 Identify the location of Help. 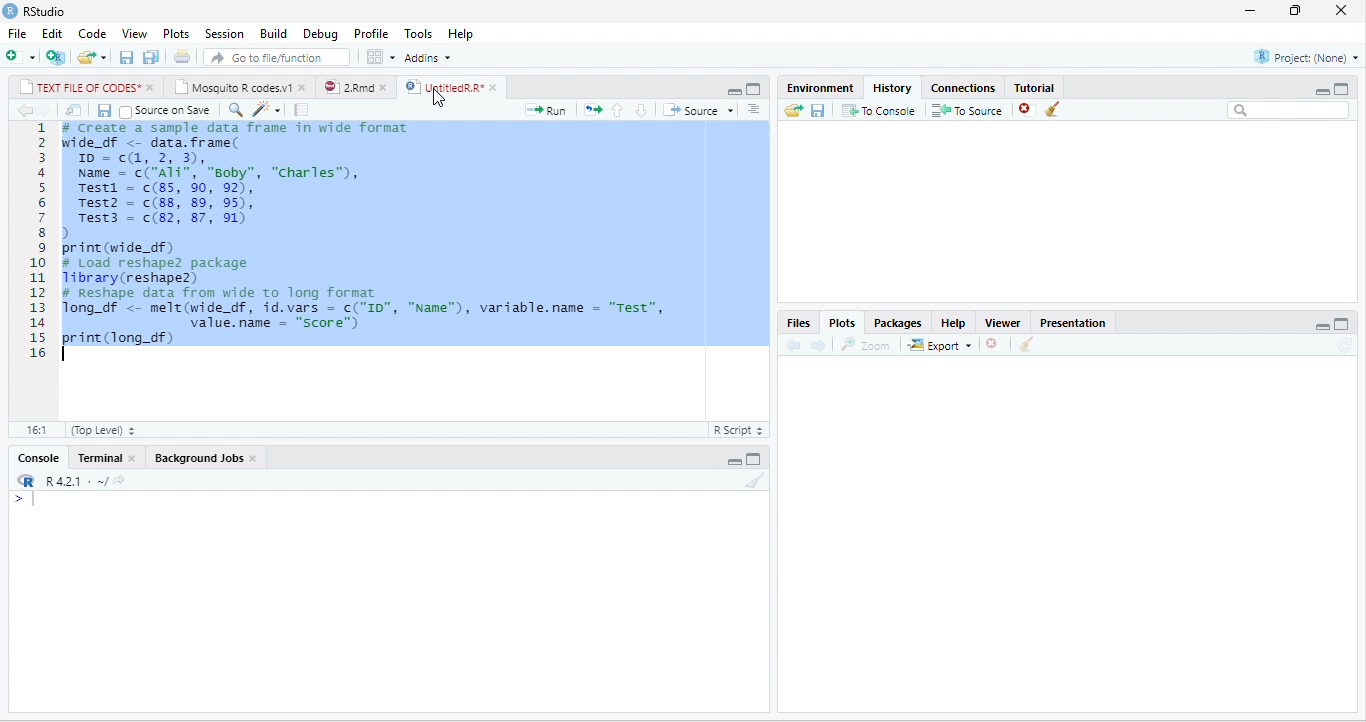
(954, 323).